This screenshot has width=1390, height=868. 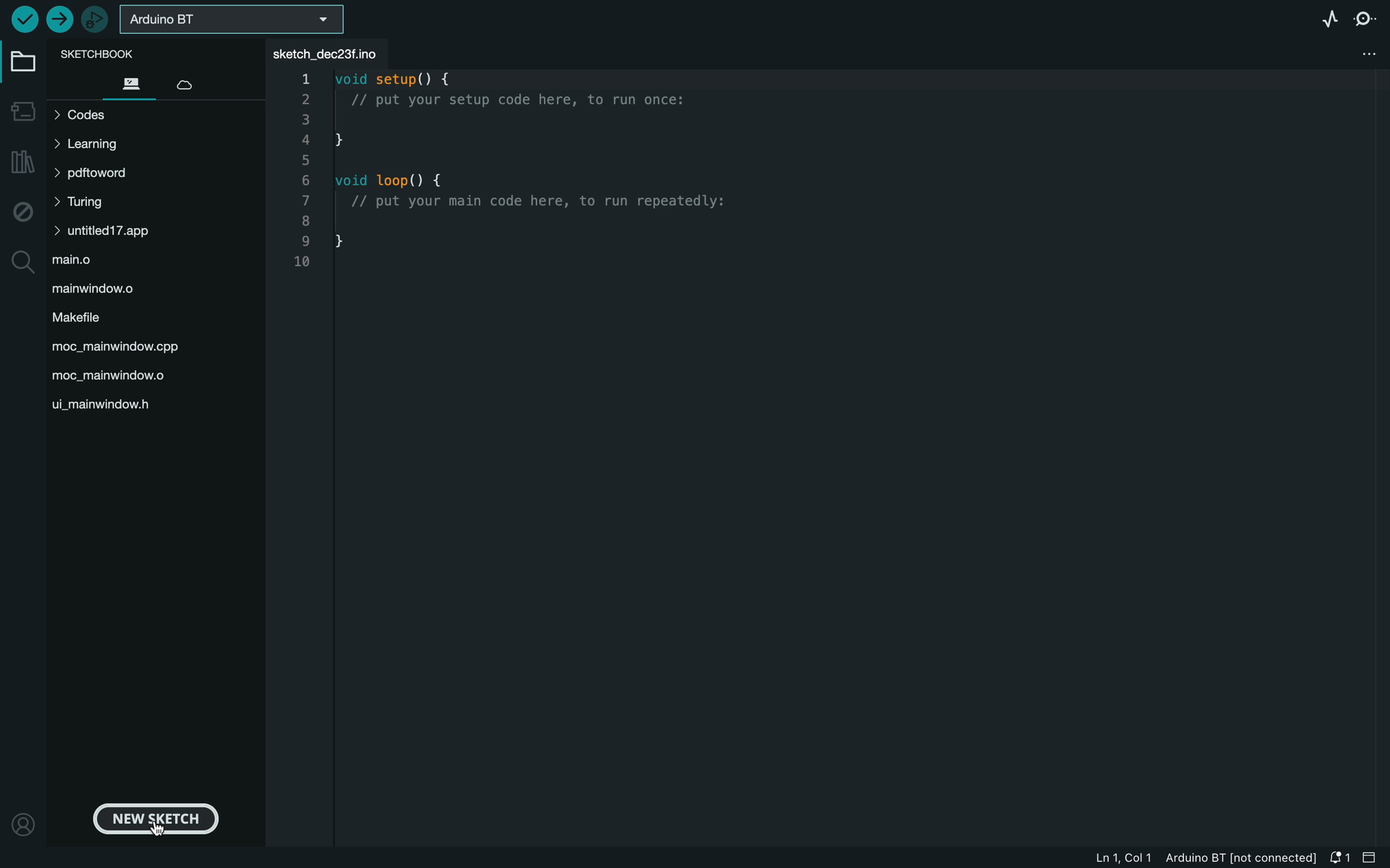 What do you see at coordinates (159, 820) in the screenshot?
I see `new sketch` at bounding box center [159, 820].